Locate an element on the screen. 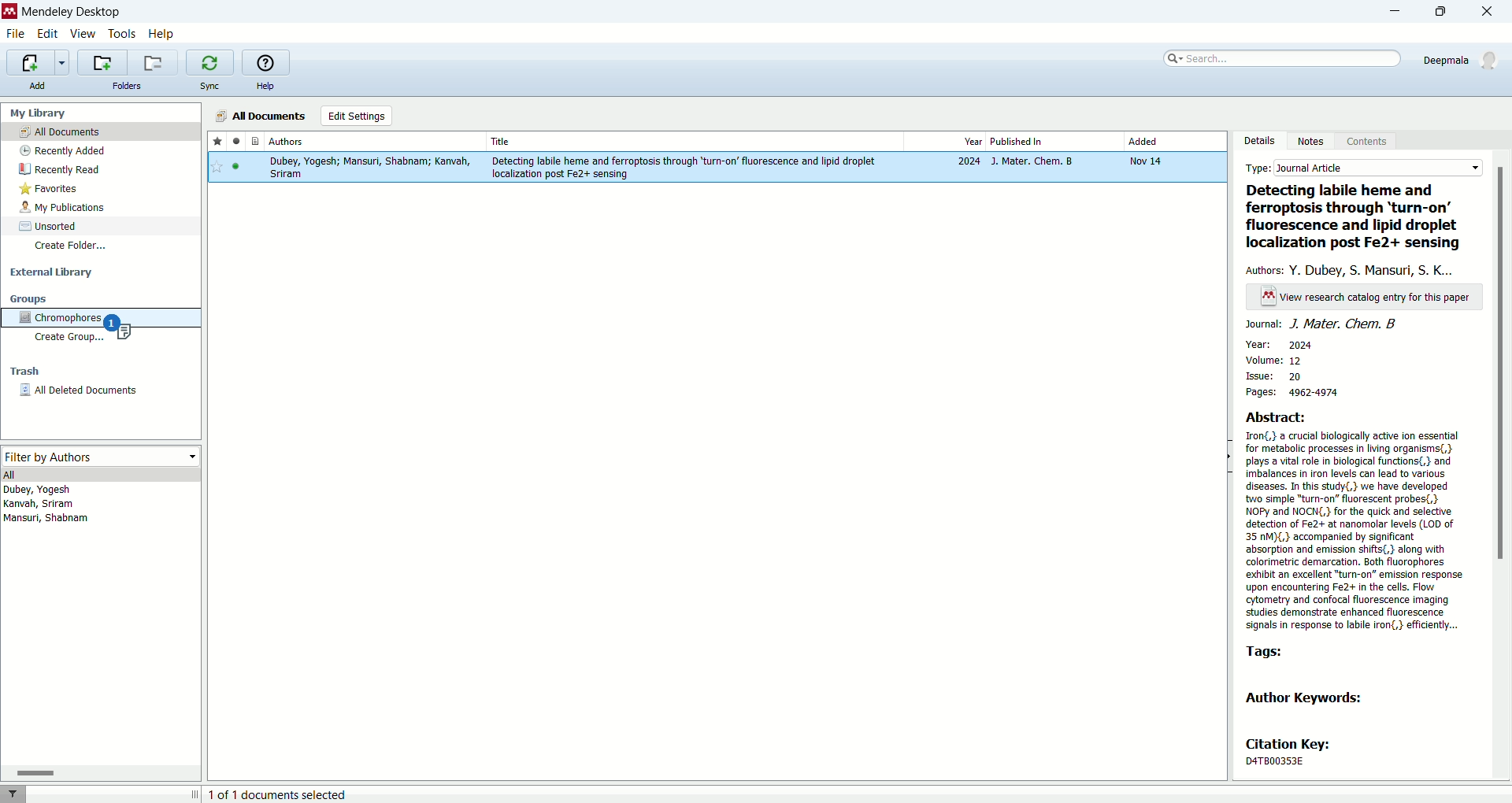  help is located at coordinates (267, 87).